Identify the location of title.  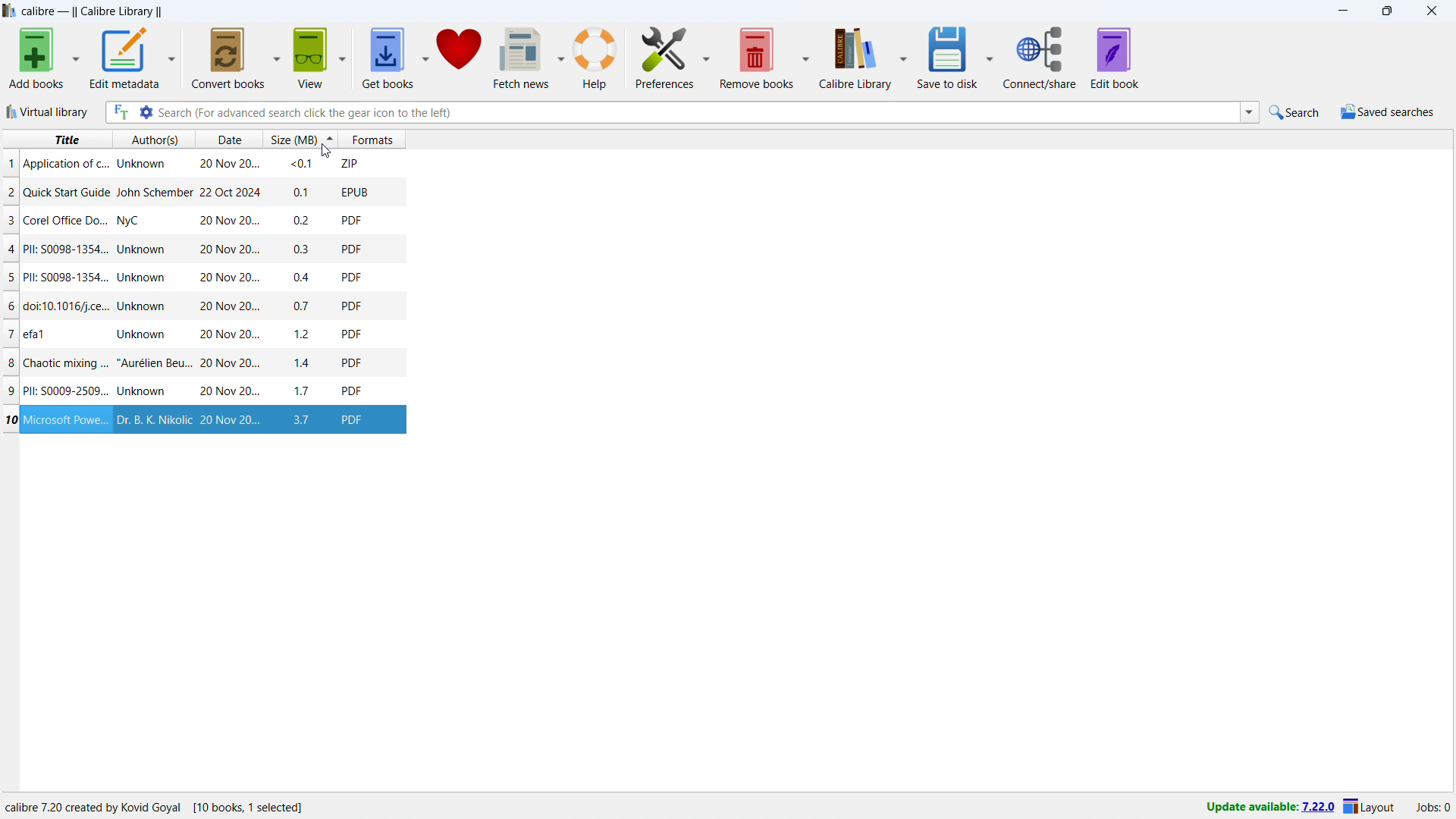
(67, 193).